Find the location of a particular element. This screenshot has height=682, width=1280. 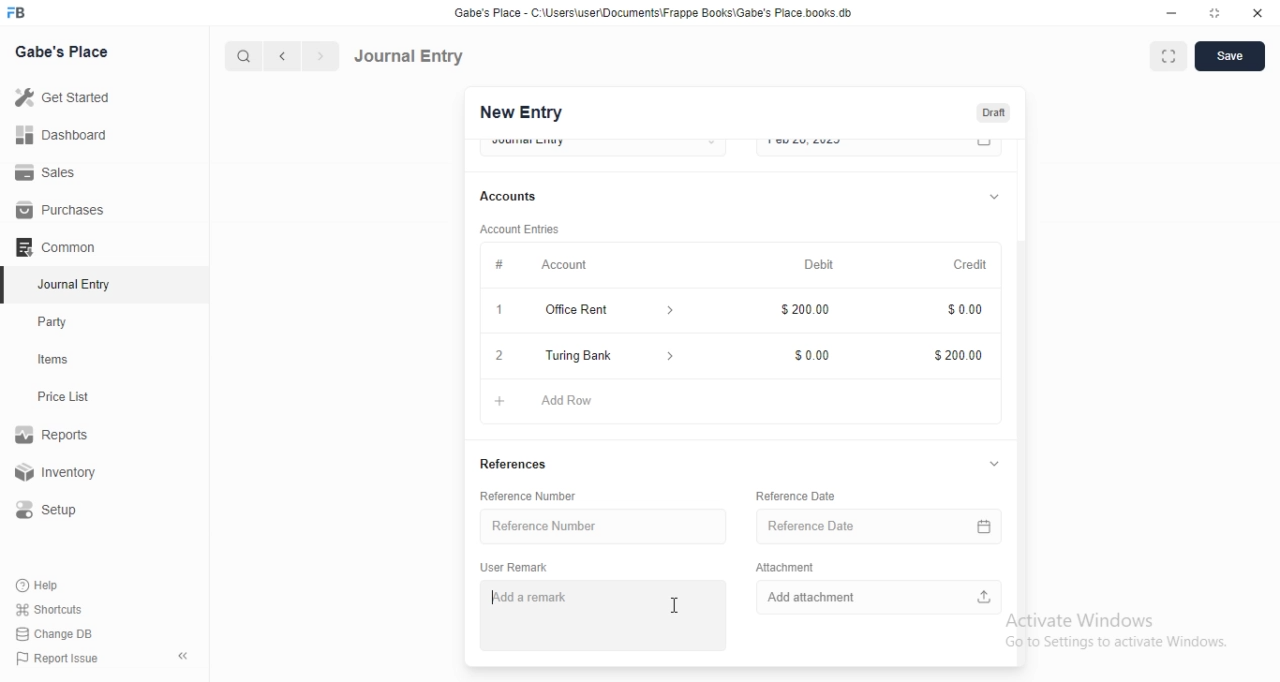

‘Attachment is located at coordinates (801, 567).